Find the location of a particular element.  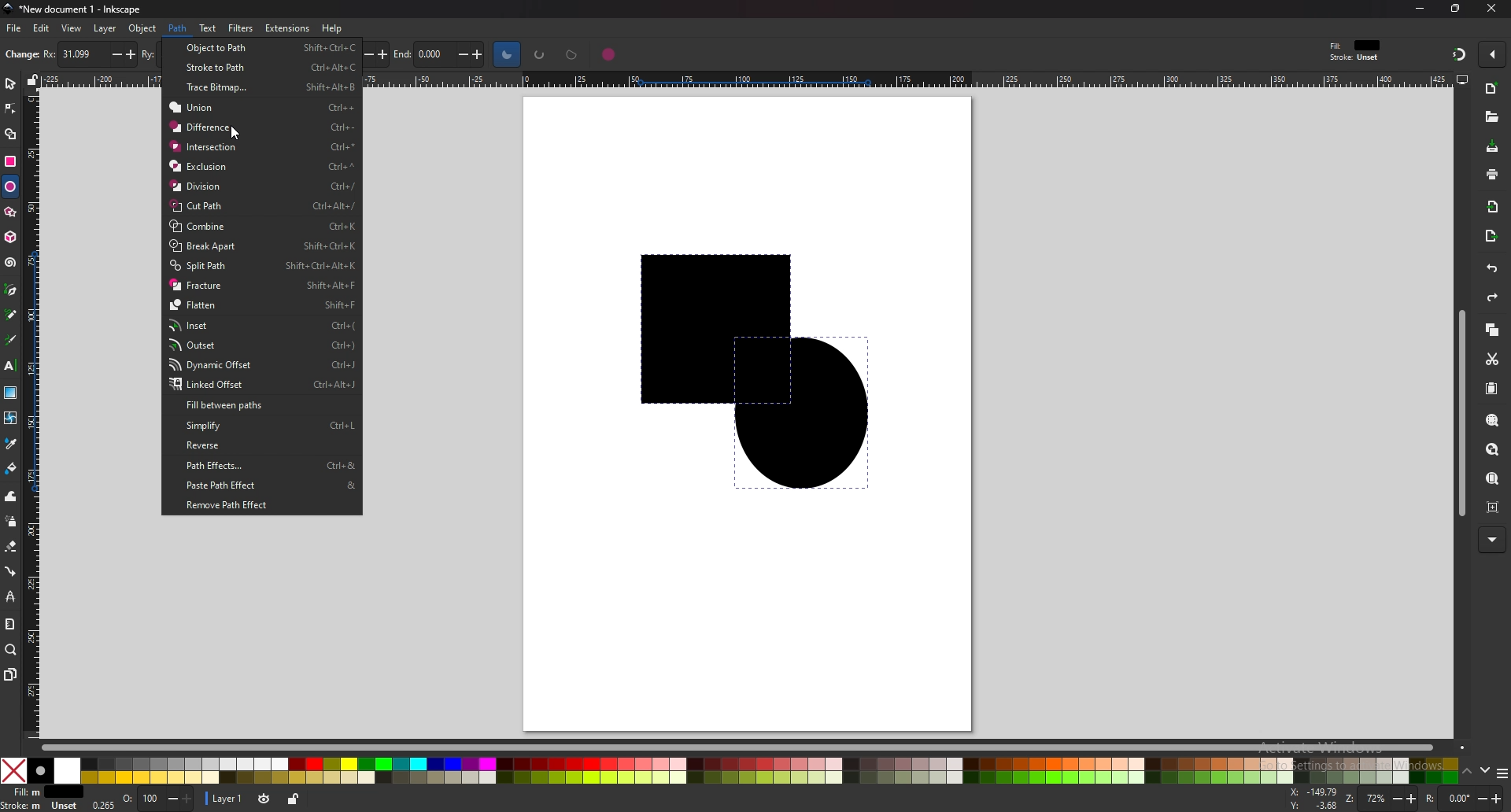

toggle visibility is located at coordinates (262, 799).